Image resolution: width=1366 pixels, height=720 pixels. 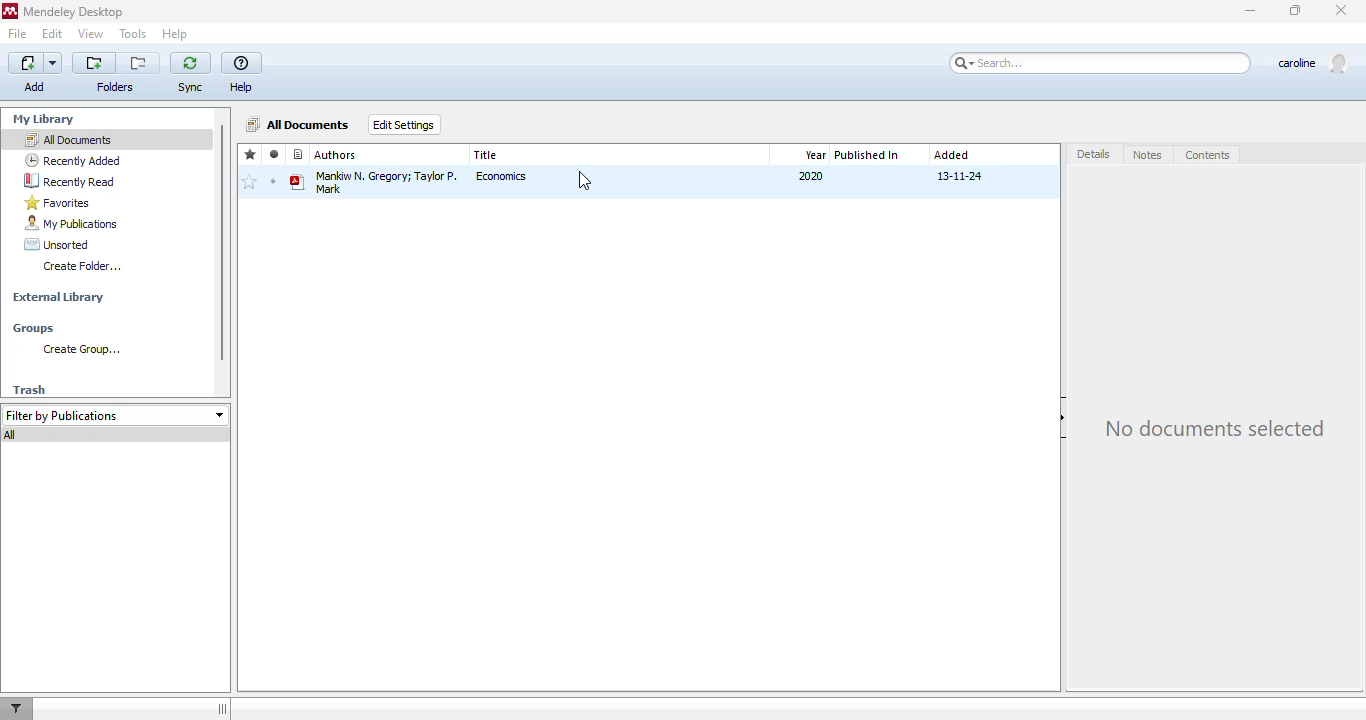 What do you see at coordinates (1063, 419) in the screenshot?
I see `hide` at bounding box center [1063, 419].